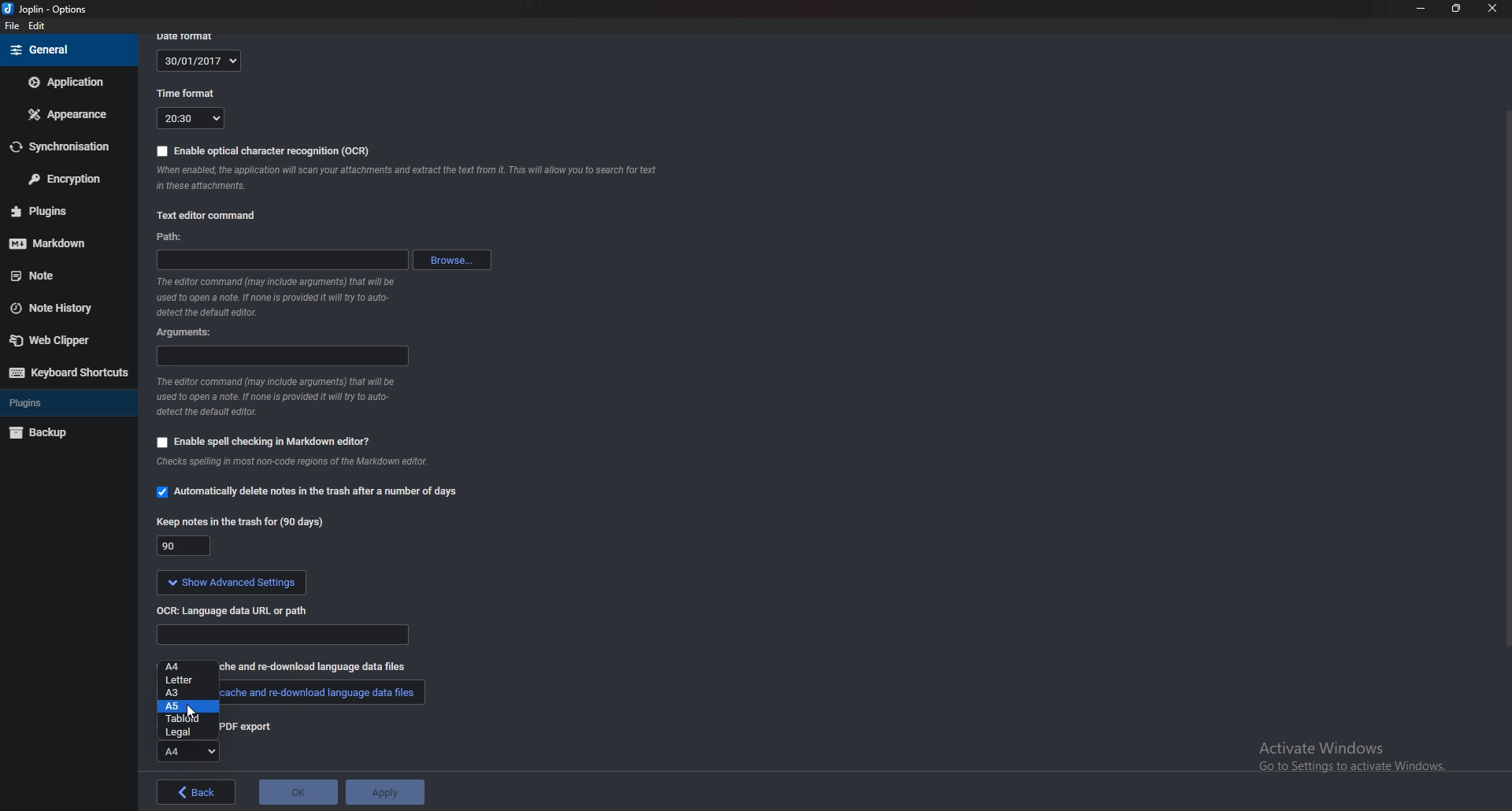 The image size is (1512, 811). I want to click on cursor, so click(191, 710).